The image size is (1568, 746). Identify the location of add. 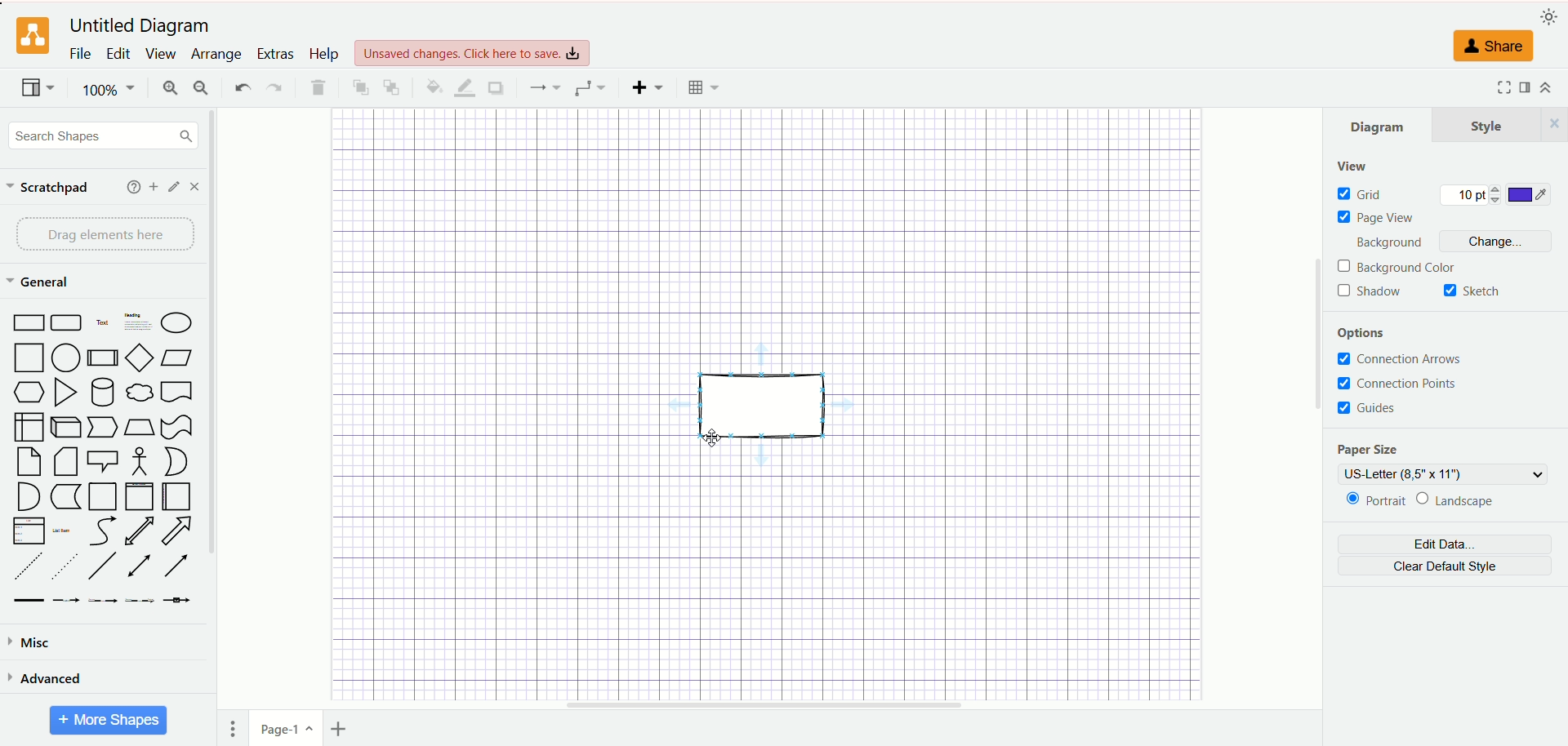
(151, 186).